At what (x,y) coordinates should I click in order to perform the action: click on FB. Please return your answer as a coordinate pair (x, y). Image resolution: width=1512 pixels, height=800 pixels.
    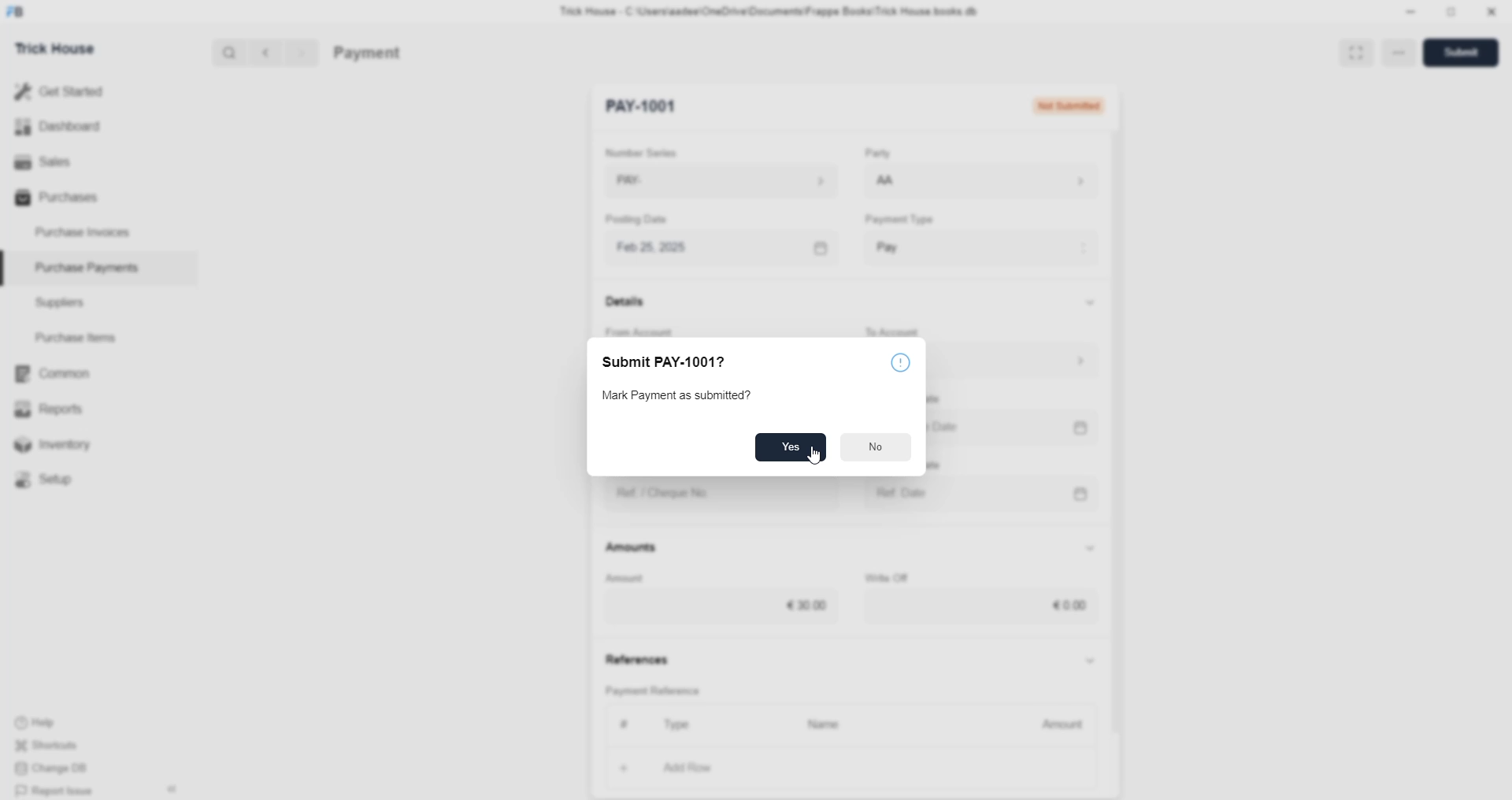
    Looking at the image, I should click on (18, 10).